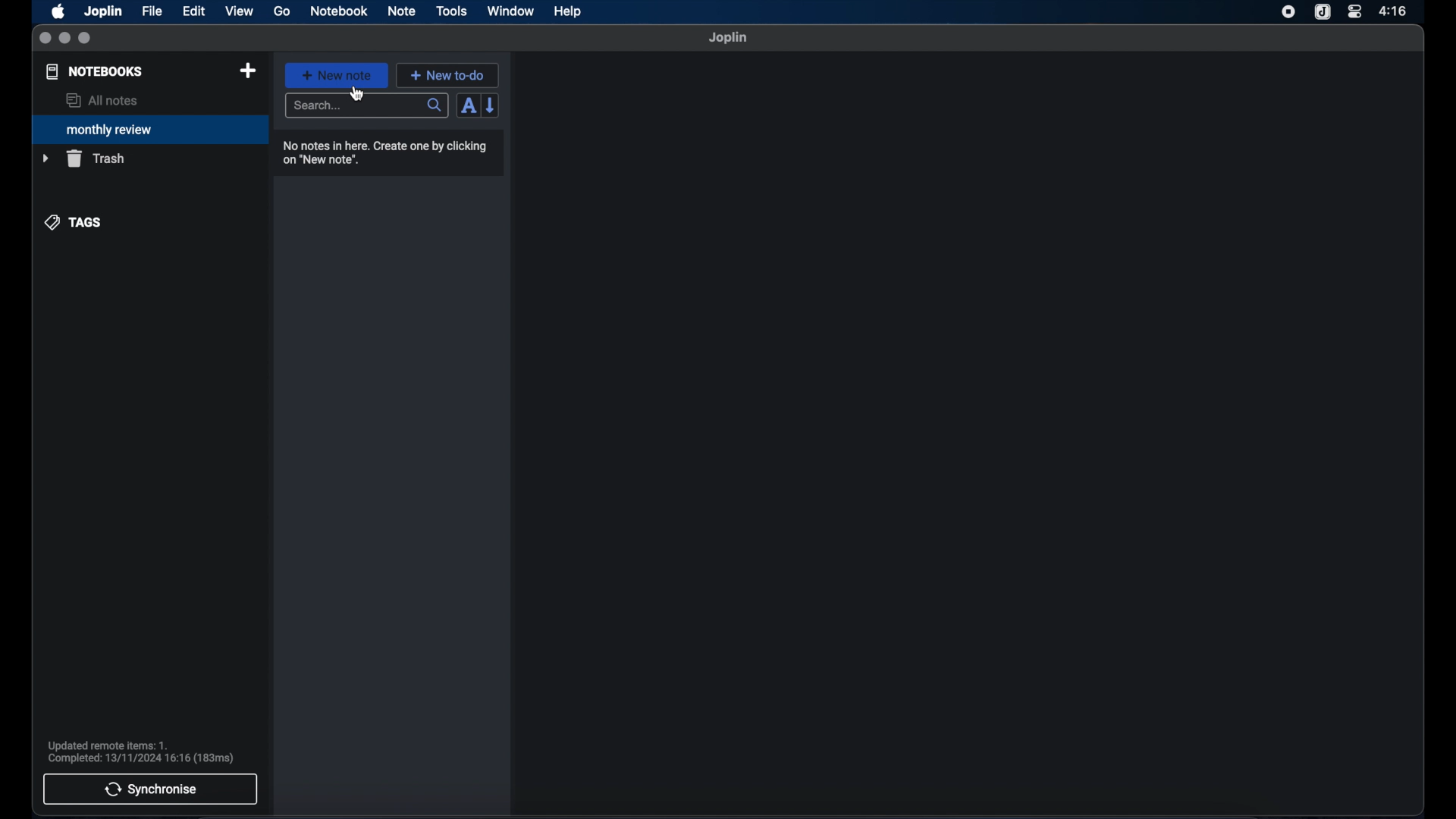 Image resolution: width=1456 pixels, height=819 pixels. I want to click on monthly review, so click(150, 128).